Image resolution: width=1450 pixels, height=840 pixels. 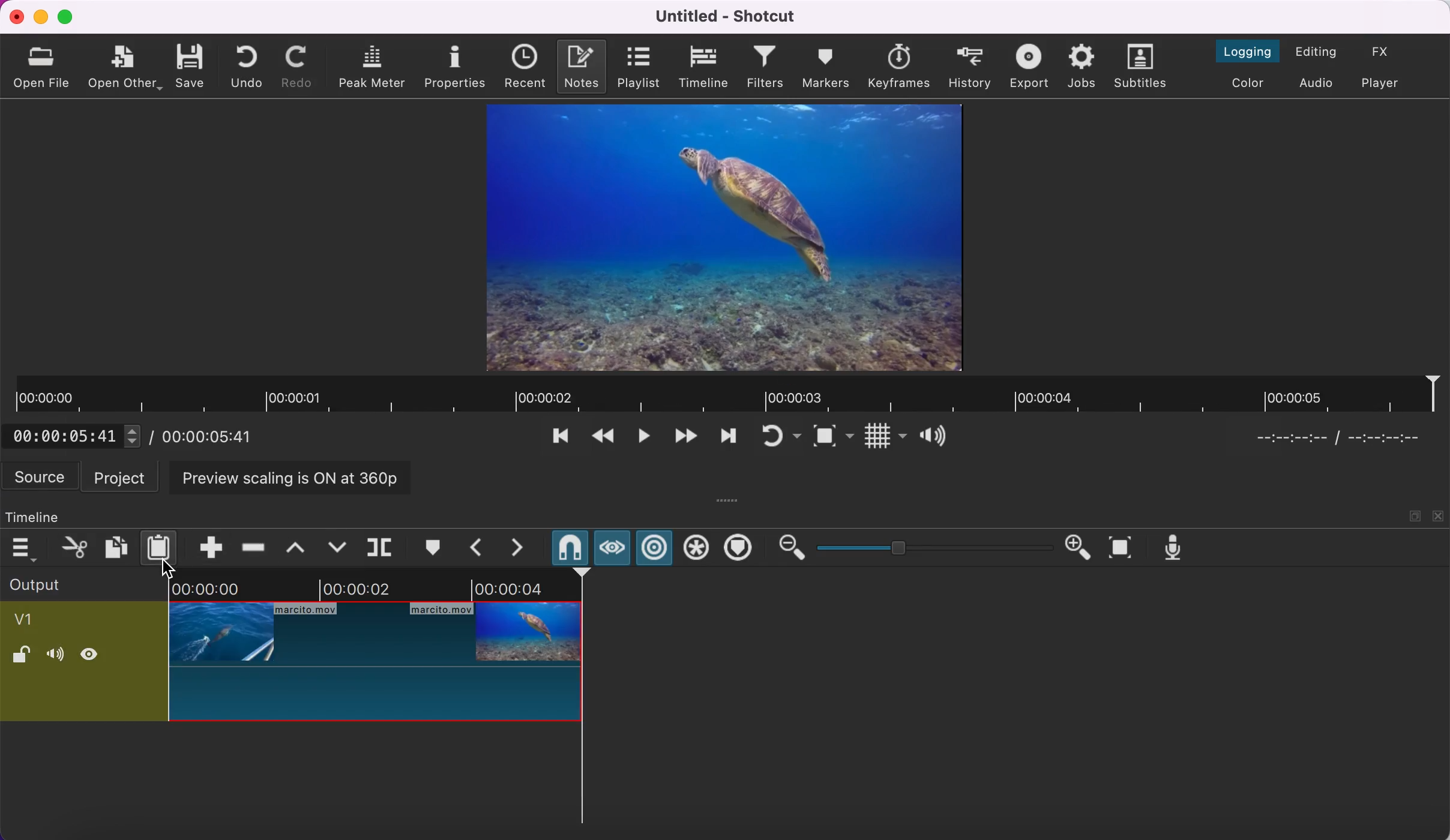 What do you see at coordinates (71, 545) in the screenshot?
I see `cut` at bounding box center [71, 545].